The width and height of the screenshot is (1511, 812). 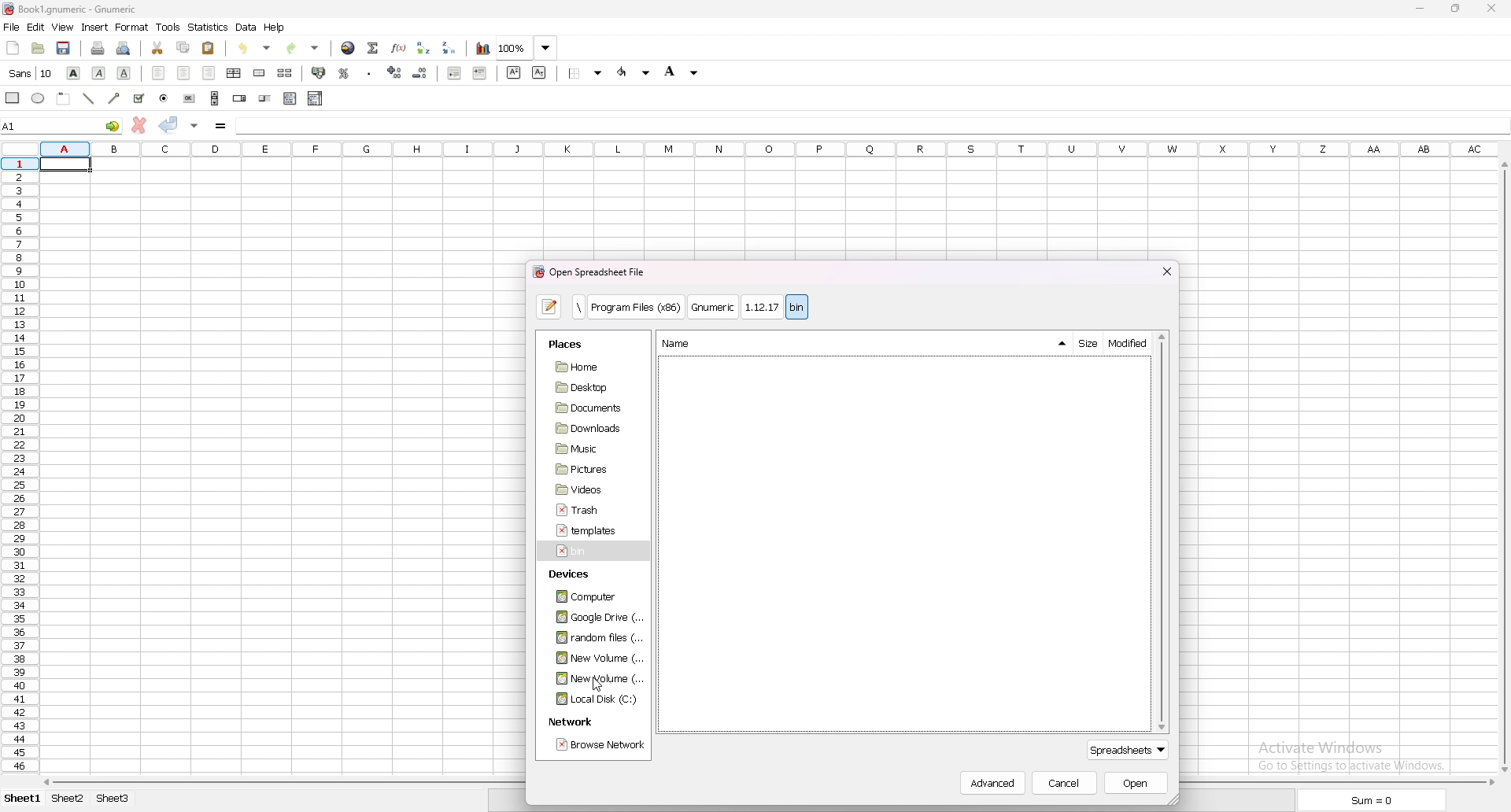 What do you see at coordinates (1165, 269) in the screenshot?
I see `close` at bounding box center [1165, 269].